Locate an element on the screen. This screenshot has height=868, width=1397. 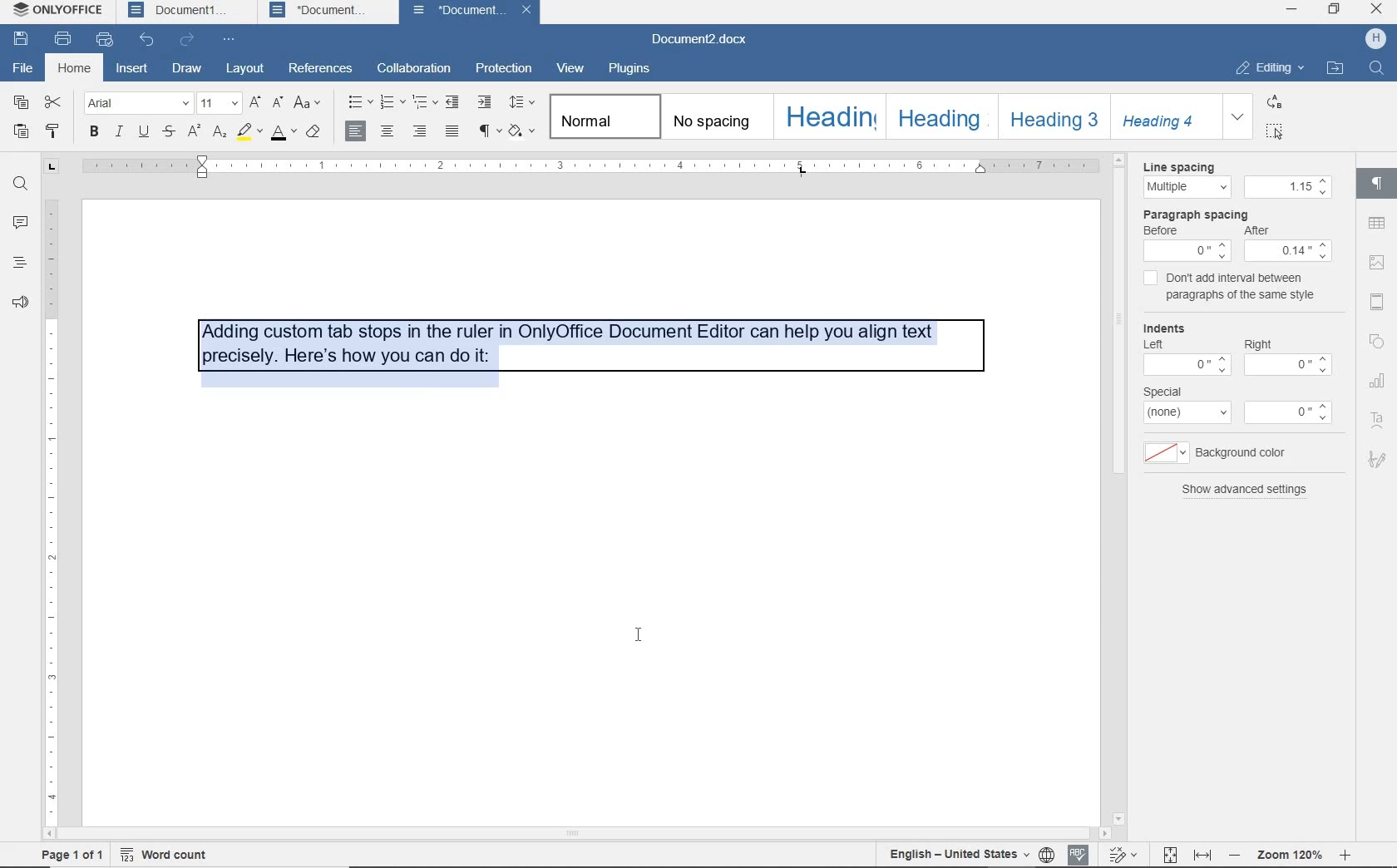
indents is located at coordinates (1167, 326).